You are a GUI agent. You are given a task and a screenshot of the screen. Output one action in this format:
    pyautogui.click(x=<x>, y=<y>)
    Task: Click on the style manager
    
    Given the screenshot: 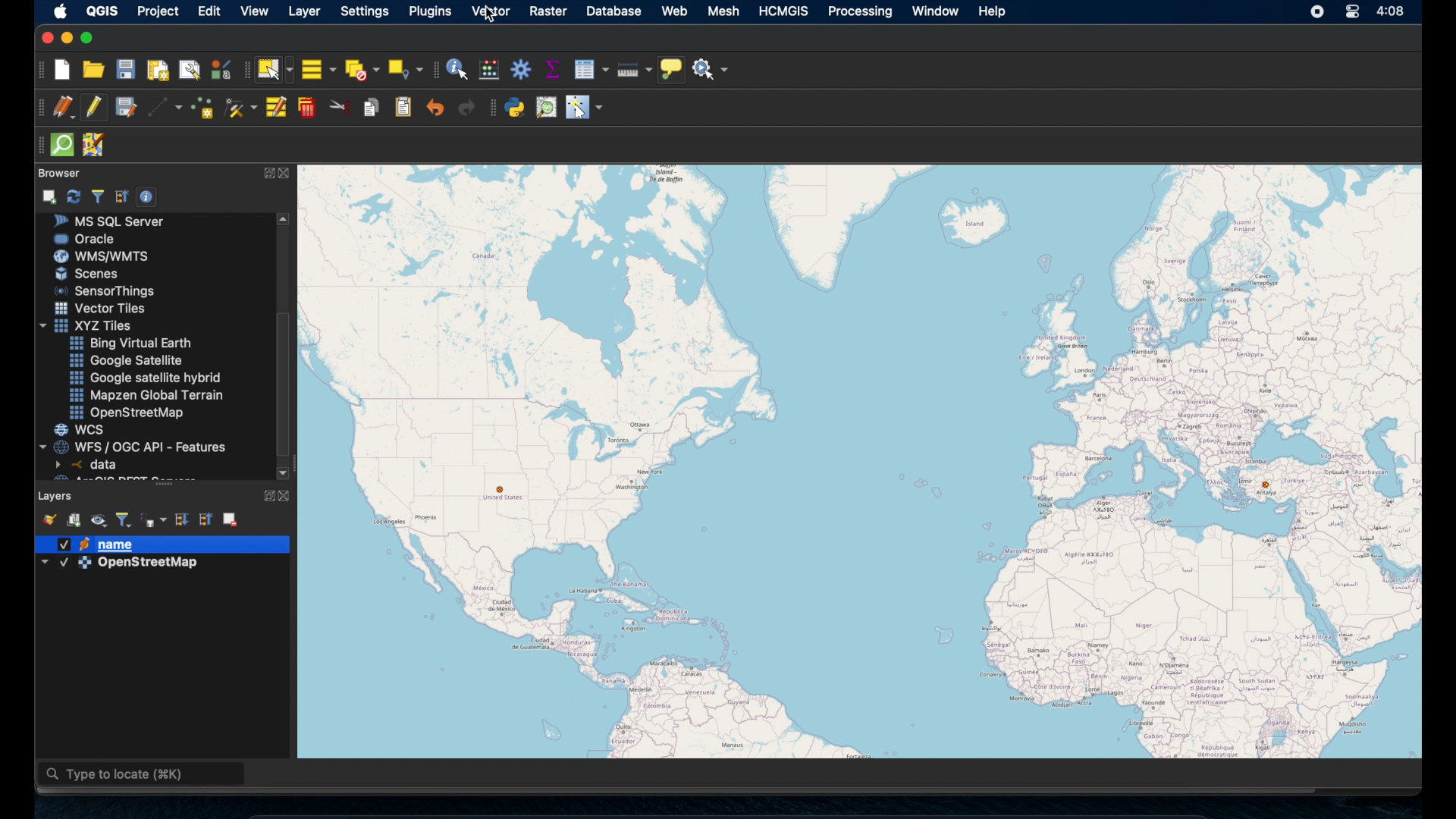 What is the action you would take?
    pyautogui.click(x=48, y=518)
    